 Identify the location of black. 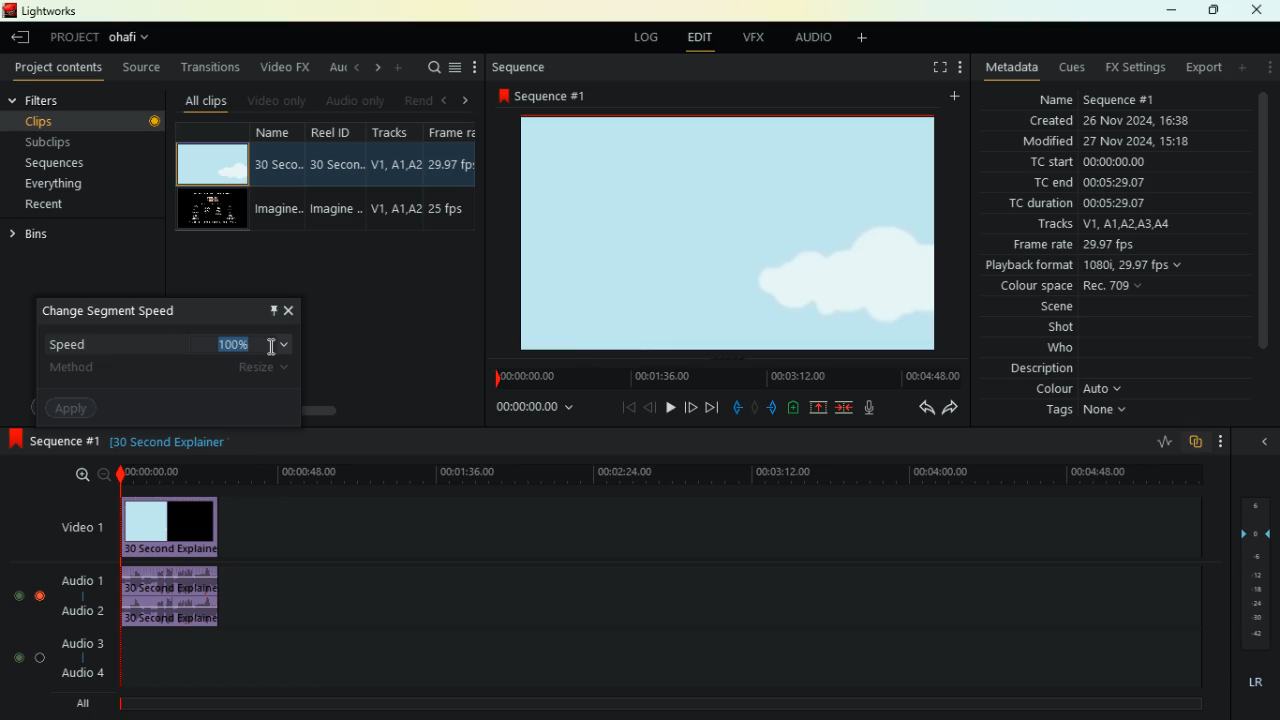
(126, 442).